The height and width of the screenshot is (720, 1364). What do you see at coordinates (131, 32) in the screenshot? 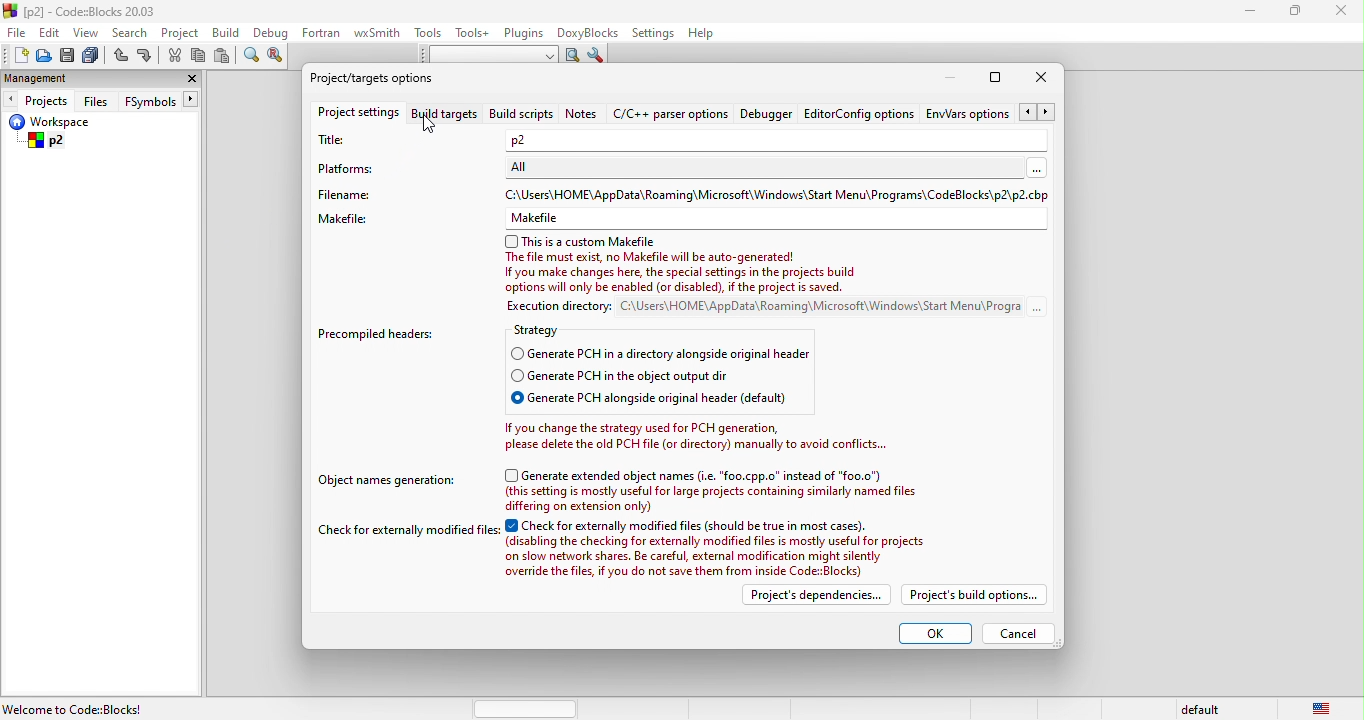
I see `search` at bounding box center [131, 32].